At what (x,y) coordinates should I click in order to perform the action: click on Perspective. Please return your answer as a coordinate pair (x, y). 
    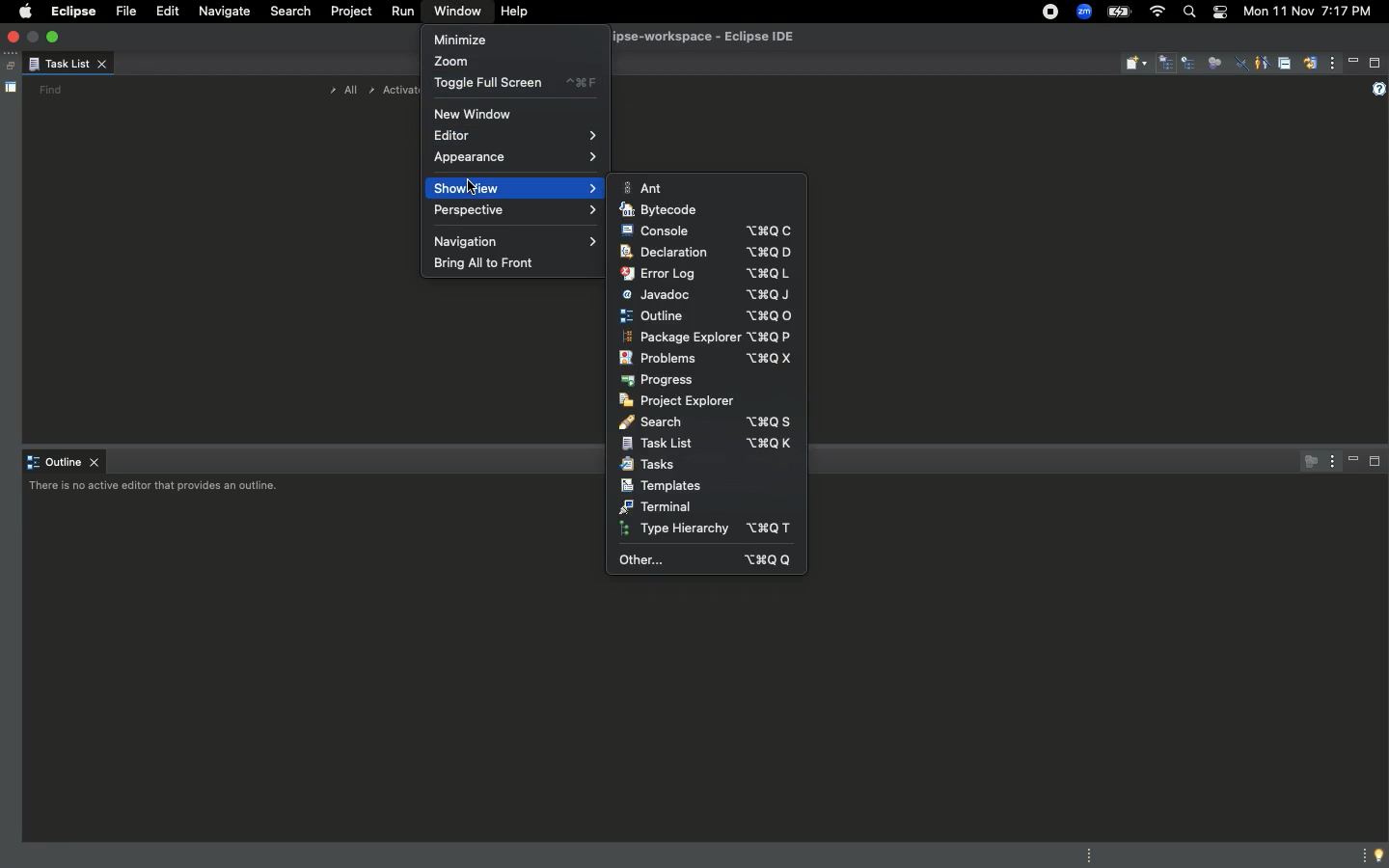
    Looking at the image, I should click on (513, 212).